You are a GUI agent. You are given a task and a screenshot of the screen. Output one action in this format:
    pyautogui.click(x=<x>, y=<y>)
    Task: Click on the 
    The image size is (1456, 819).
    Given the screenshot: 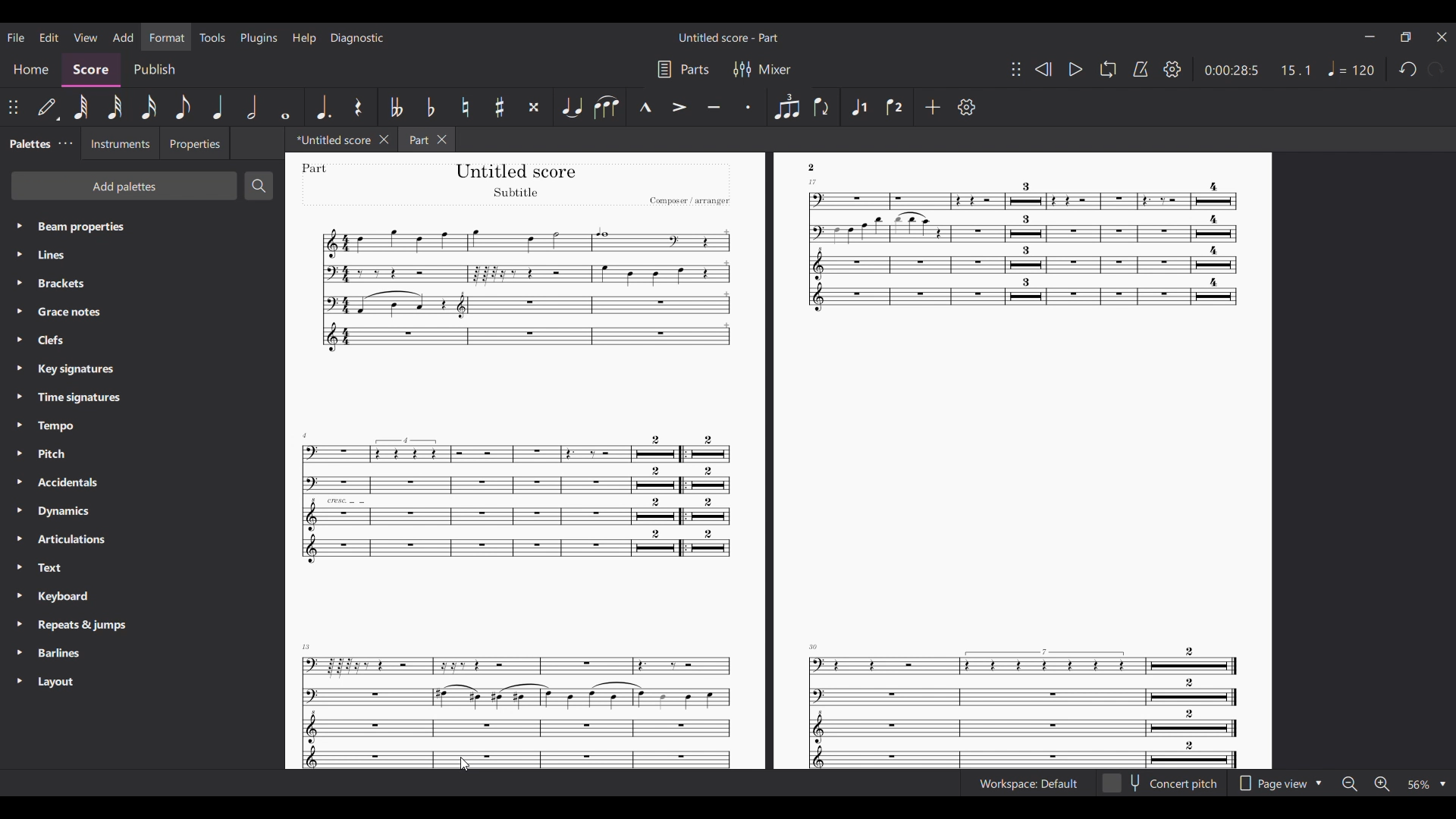 What is the action you would take?
    pyautogui.click(x=526, y=303)
    